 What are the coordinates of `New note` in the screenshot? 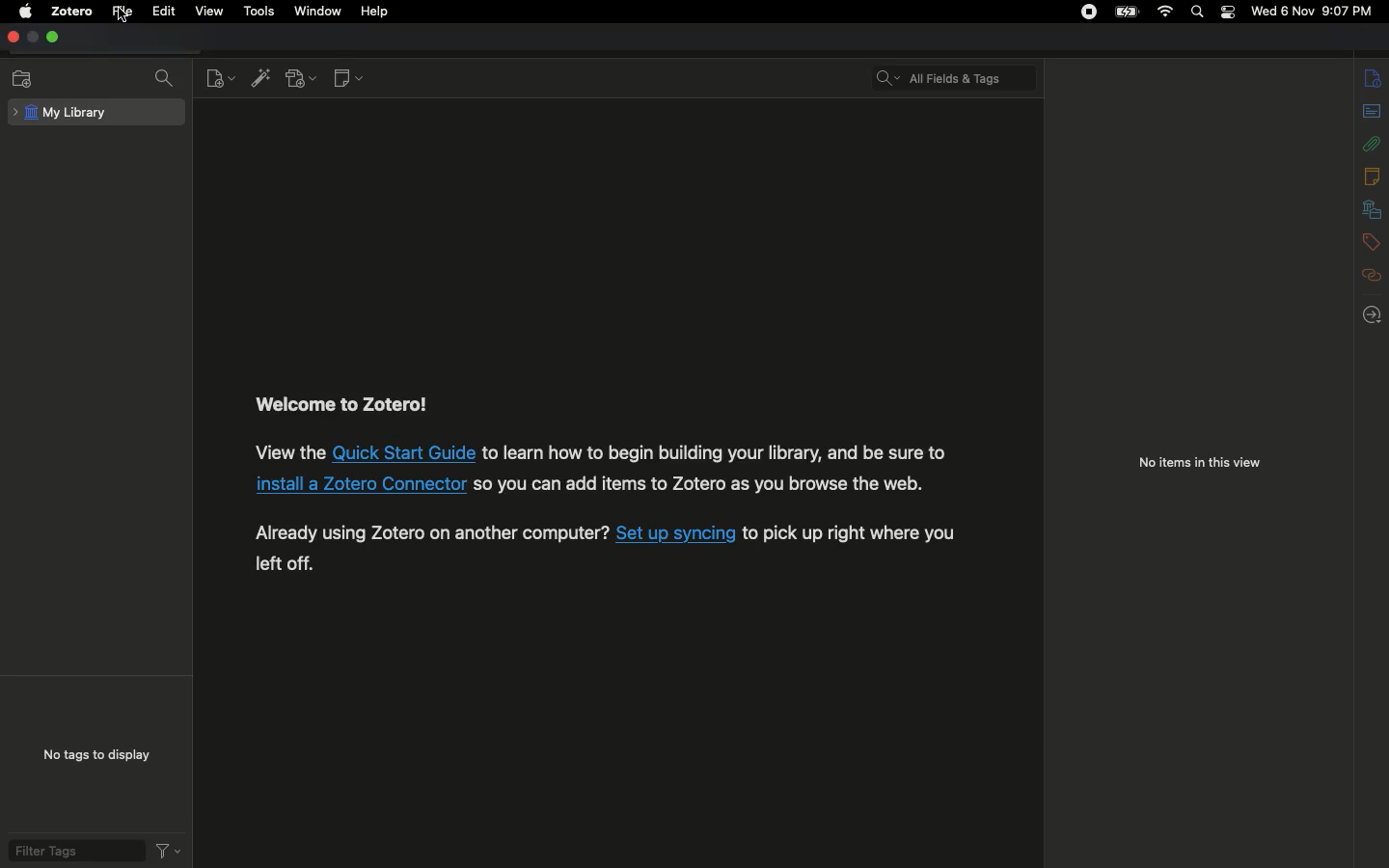 It's located at (346, 80).